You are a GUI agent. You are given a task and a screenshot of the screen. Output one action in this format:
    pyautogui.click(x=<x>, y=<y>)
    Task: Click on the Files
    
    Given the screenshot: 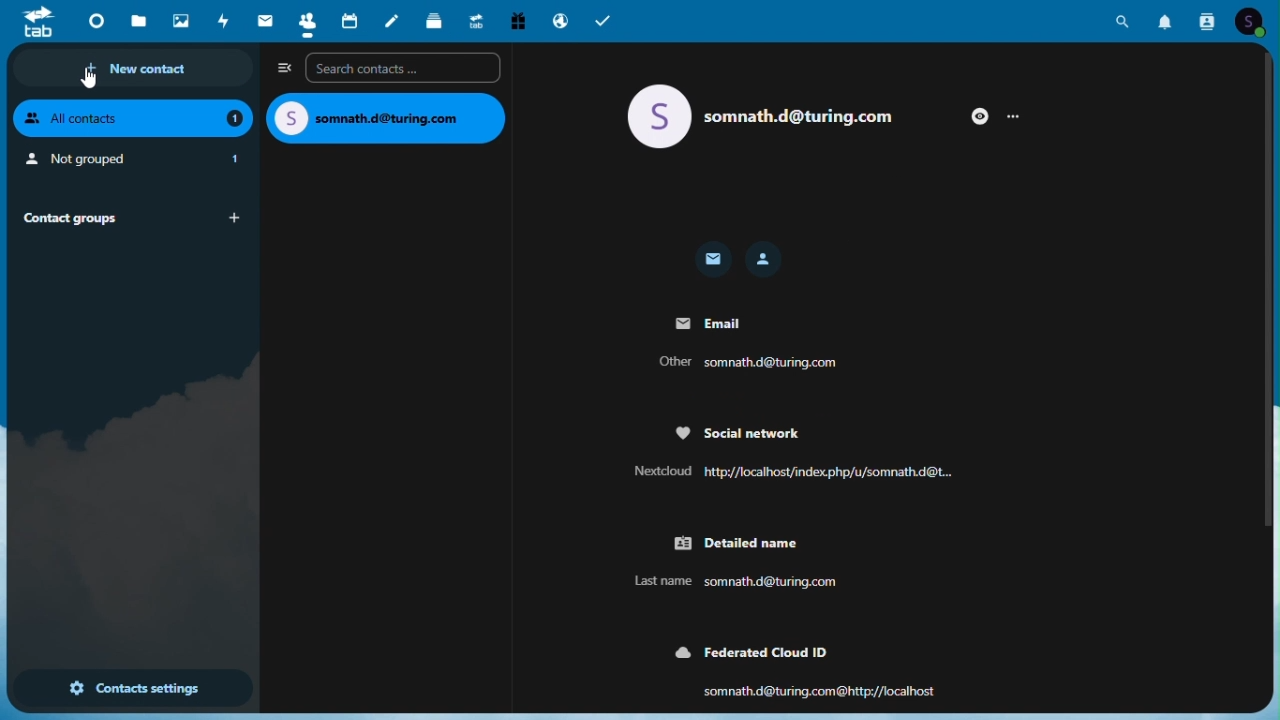 What is the action you would take?
    pyautogui.click(x=138, y=24)
    